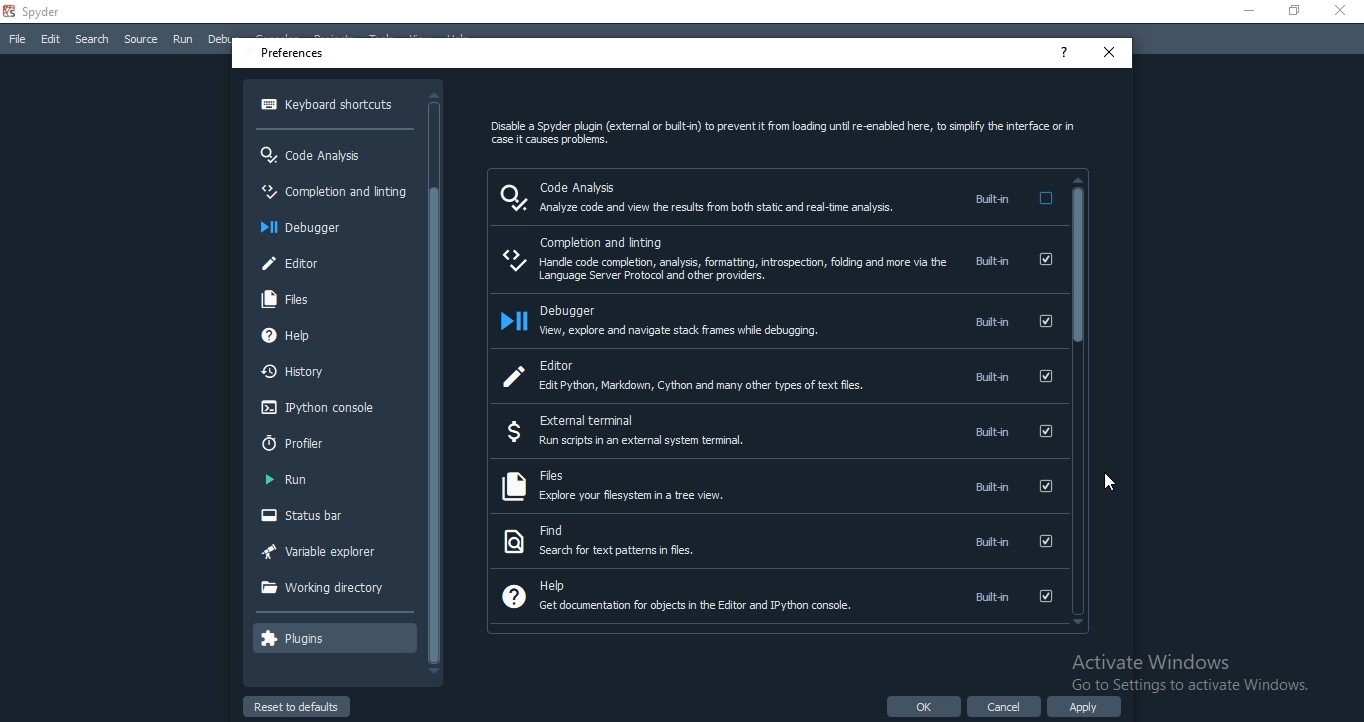  I want to click on cancel, so click(1005, 707).